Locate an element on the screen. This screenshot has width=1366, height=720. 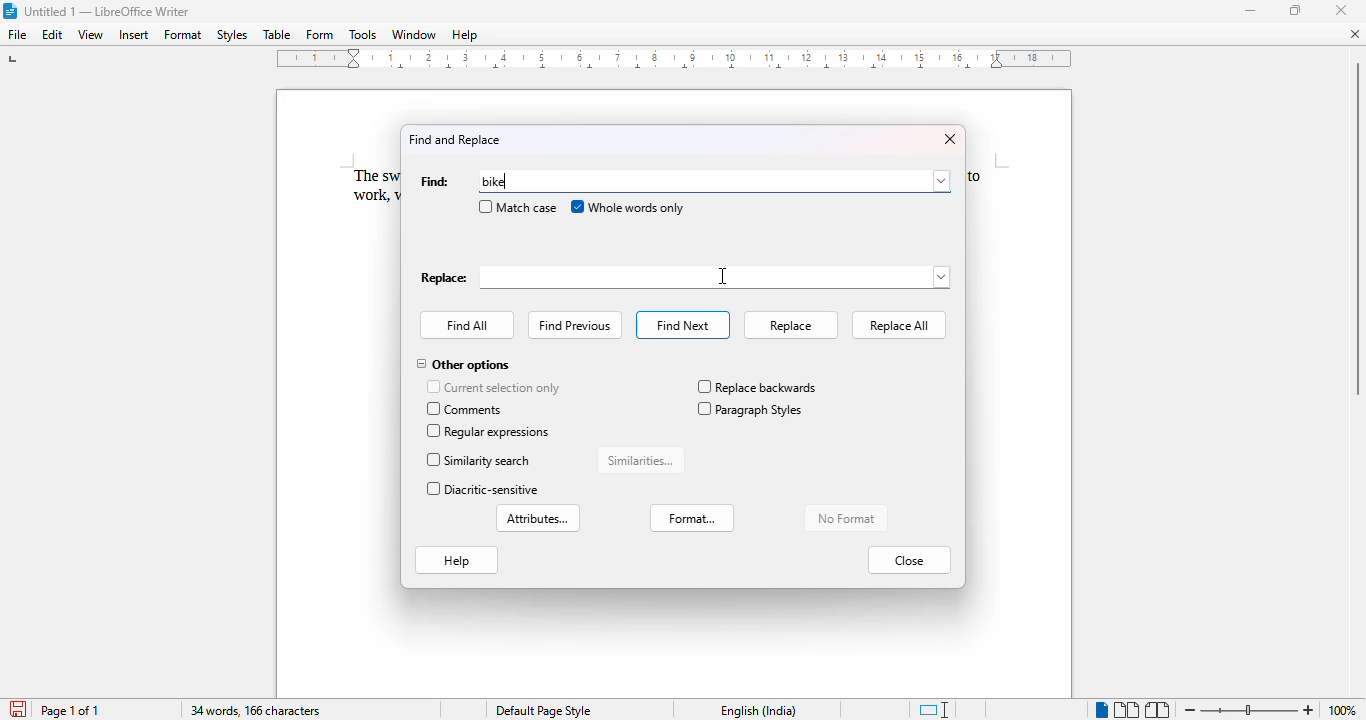
other options is located at coordinates (463, 366).